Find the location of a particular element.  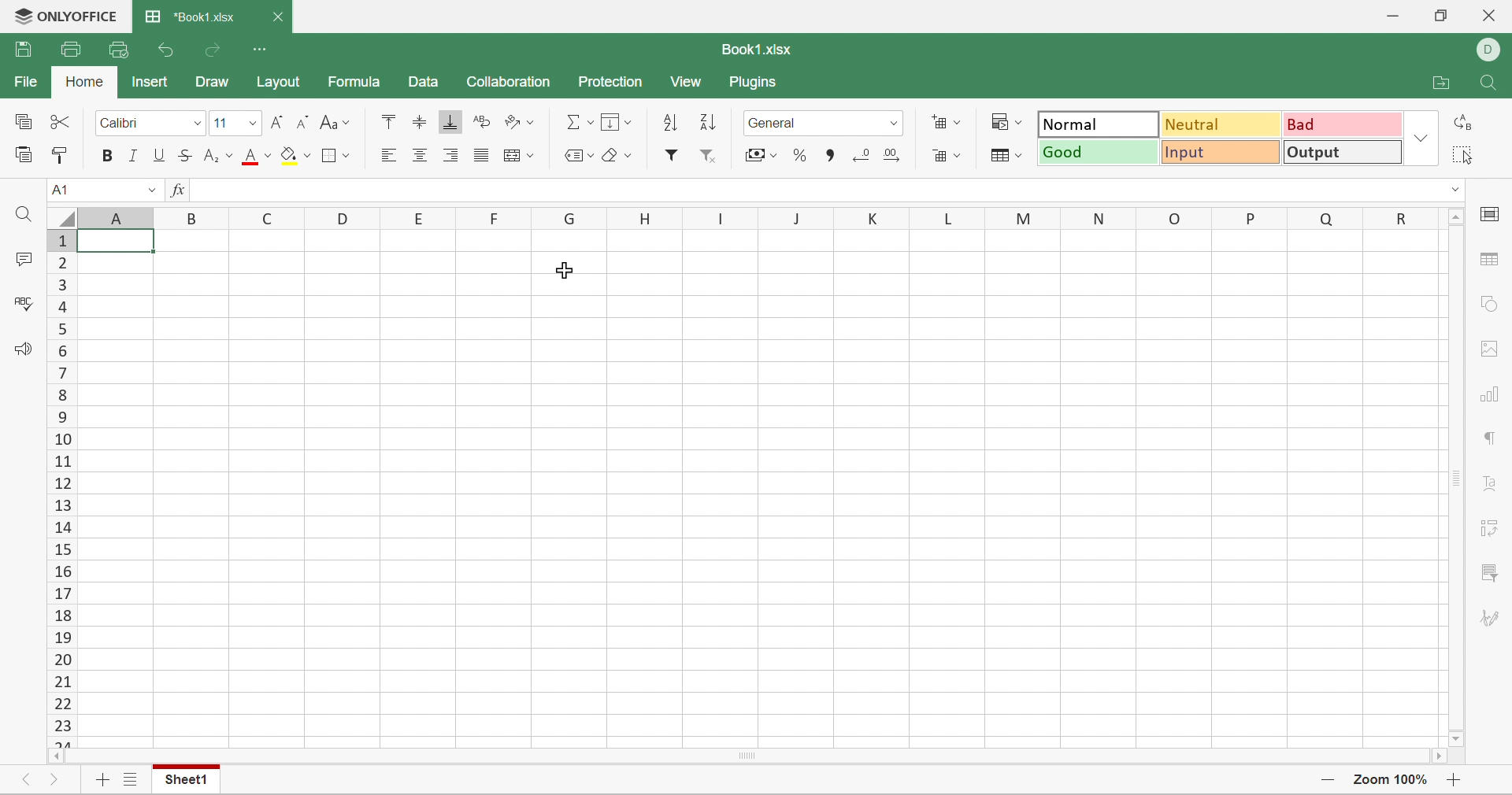

N is located at coordinates (1101, 217).